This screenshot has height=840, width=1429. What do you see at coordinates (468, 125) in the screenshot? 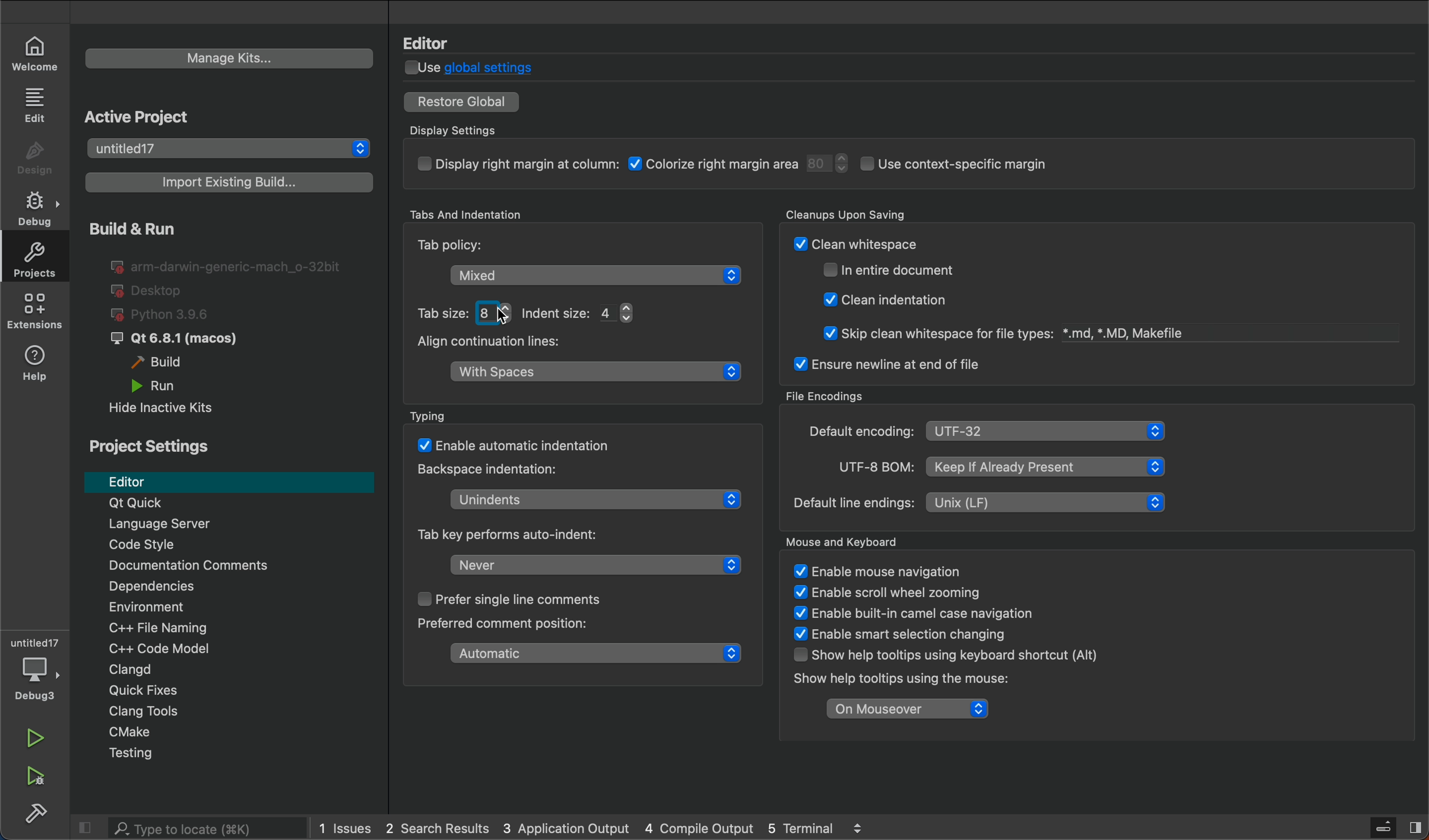
I see `Display Settings ` at bounding box center [468, 125].